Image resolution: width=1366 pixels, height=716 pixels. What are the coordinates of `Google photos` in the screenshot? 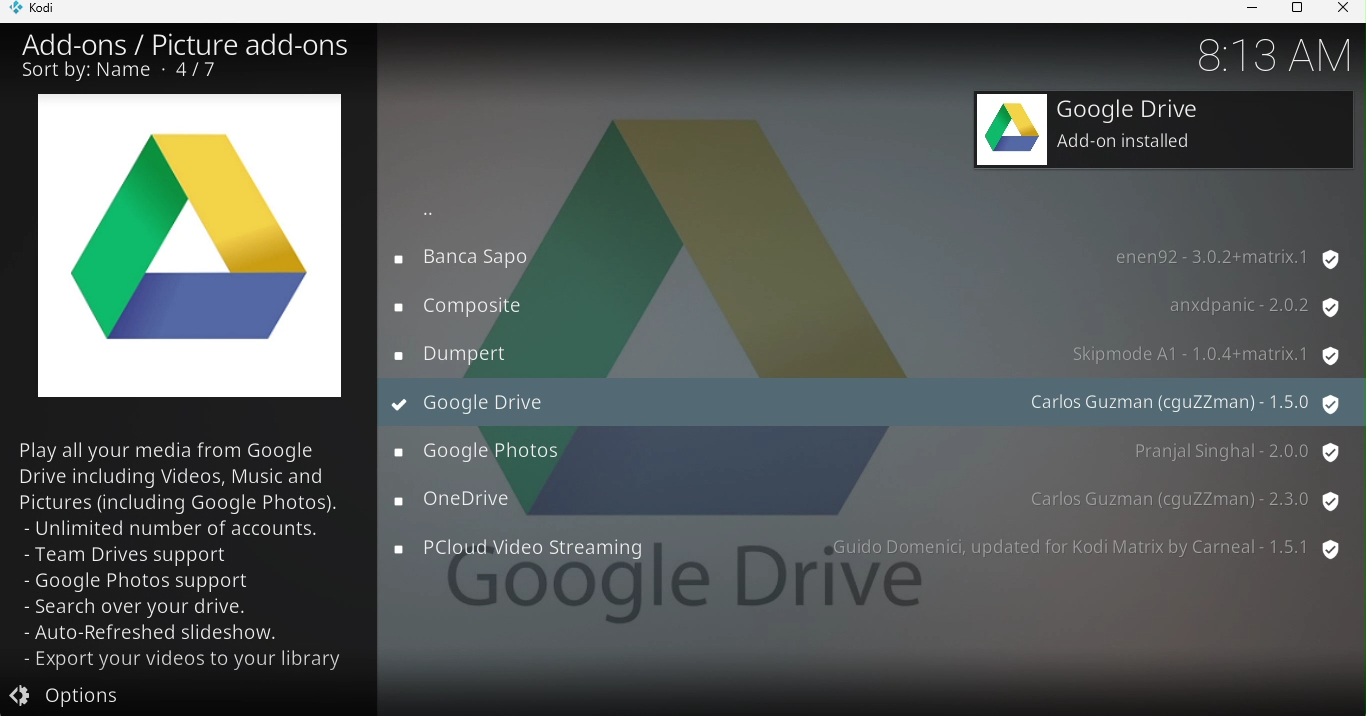 It's located at (870, 452).